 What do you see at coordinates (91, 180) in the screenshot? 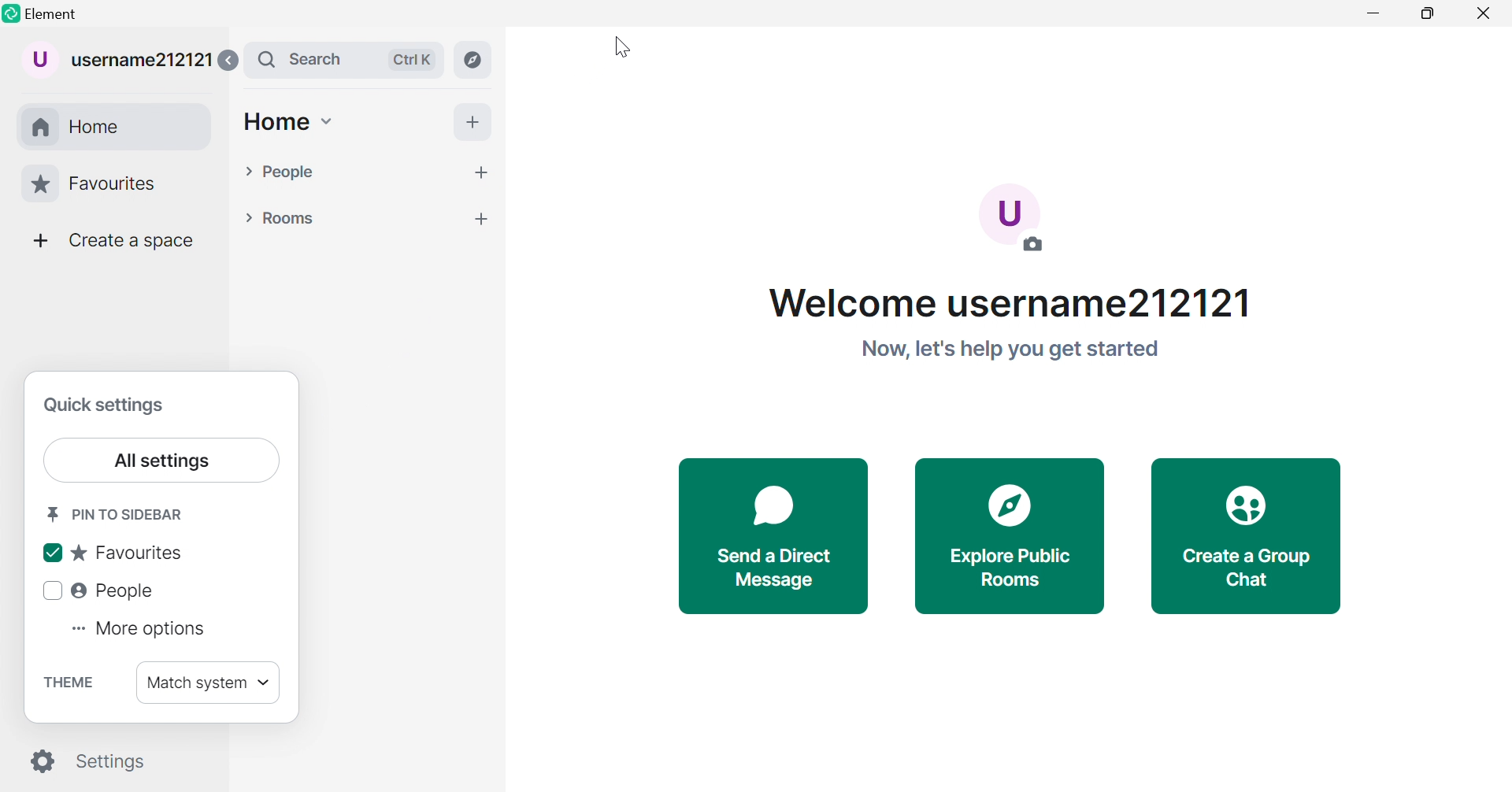
I see `Favourites ` at bounding box center [91, 180].